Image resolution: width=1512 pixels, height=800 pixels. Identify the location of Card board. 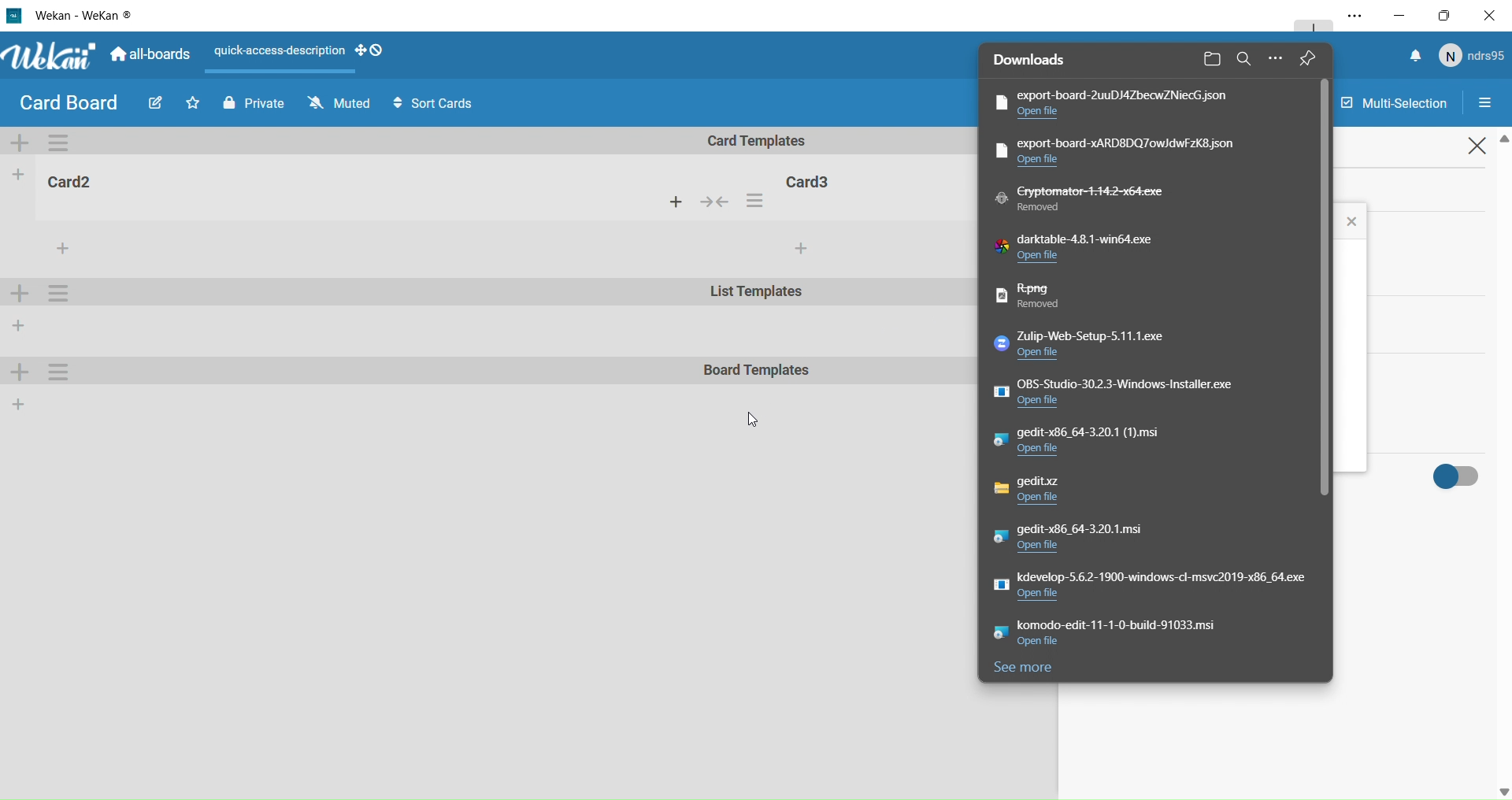
(68, 103).